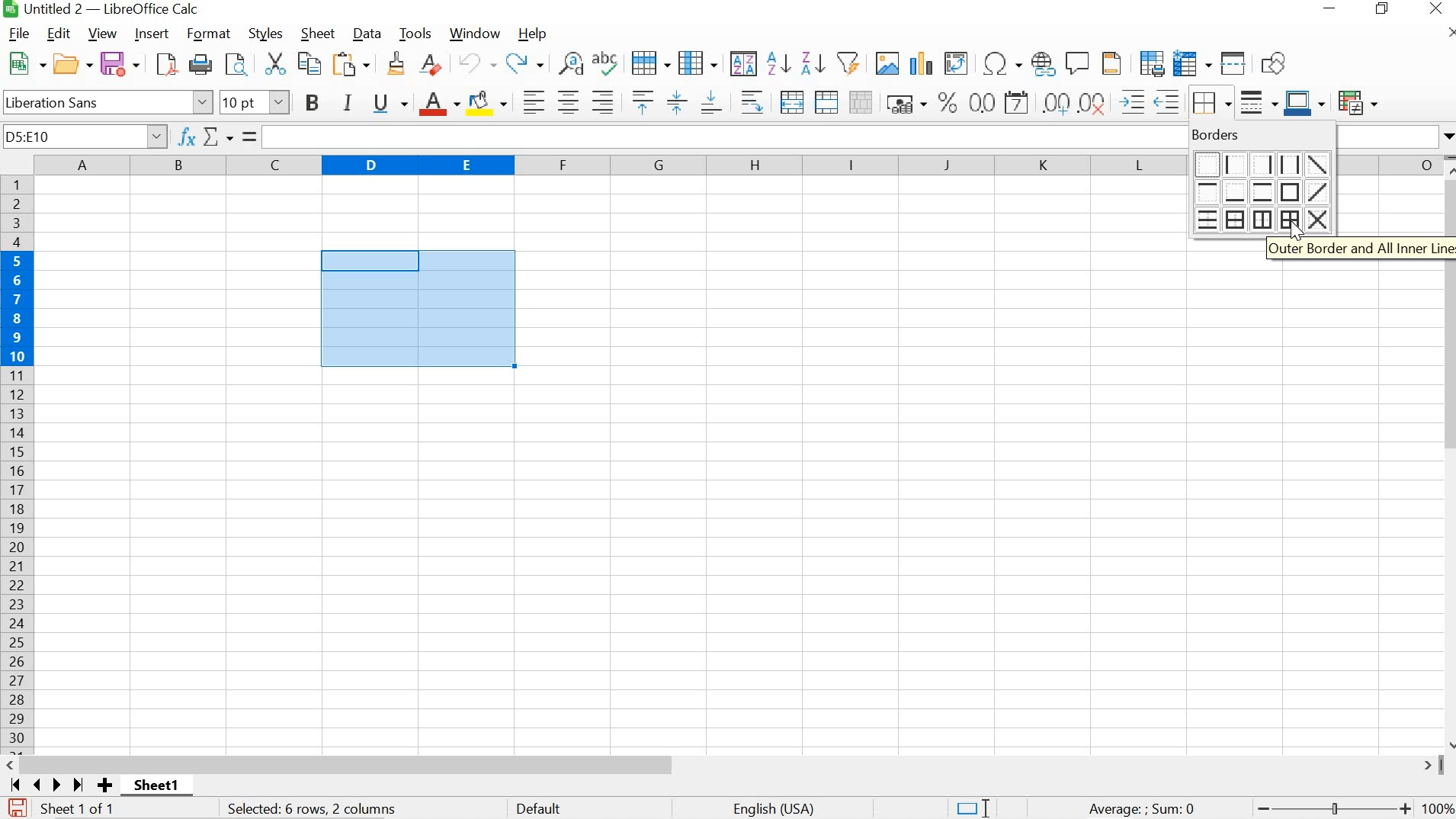  What do you see at coordinates (202, 64) in the screenshot?
I see `PRINT` at bounding box center [202, 64].